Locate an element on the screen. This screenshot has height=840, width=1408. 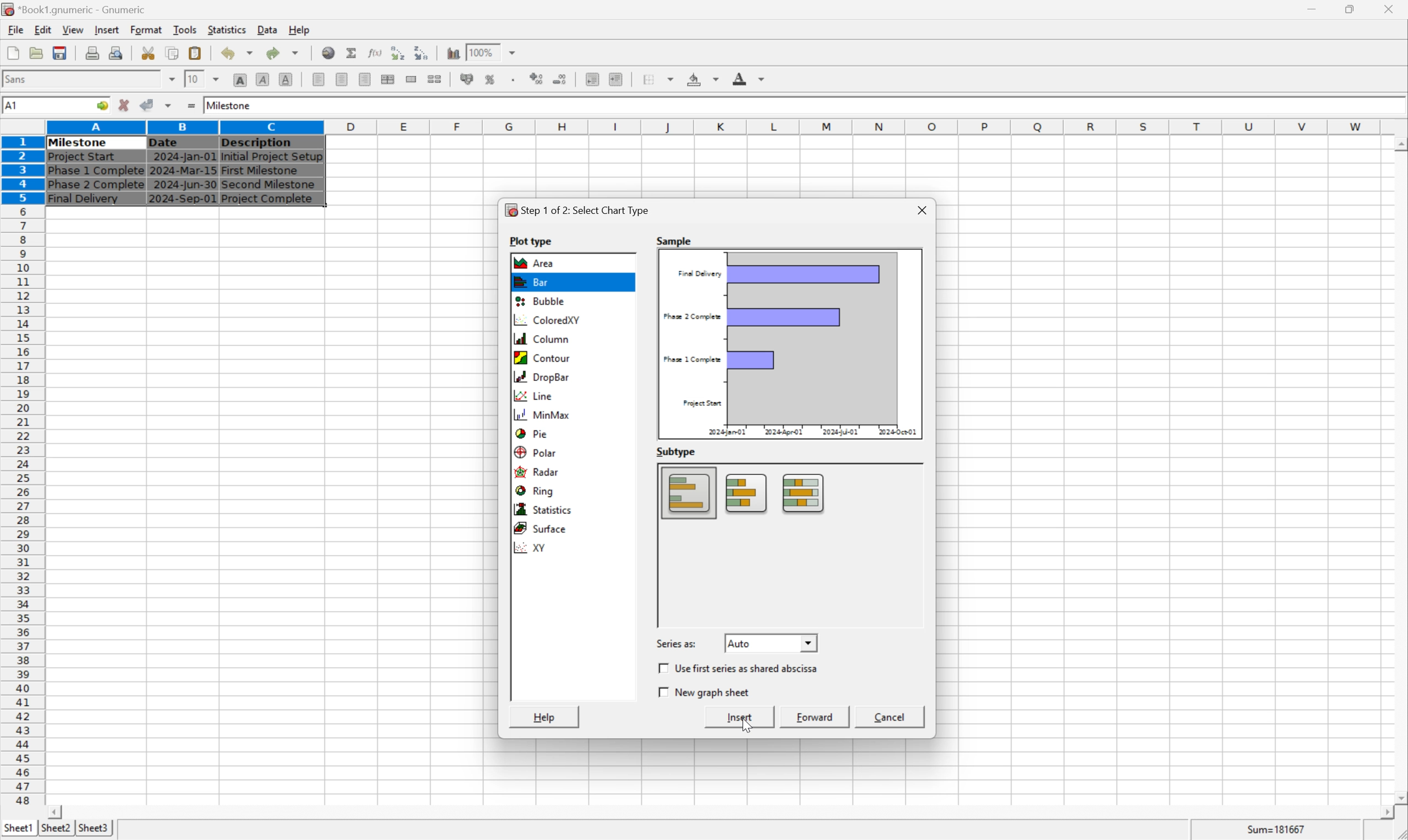
Table is located at coordinates (183, 170).